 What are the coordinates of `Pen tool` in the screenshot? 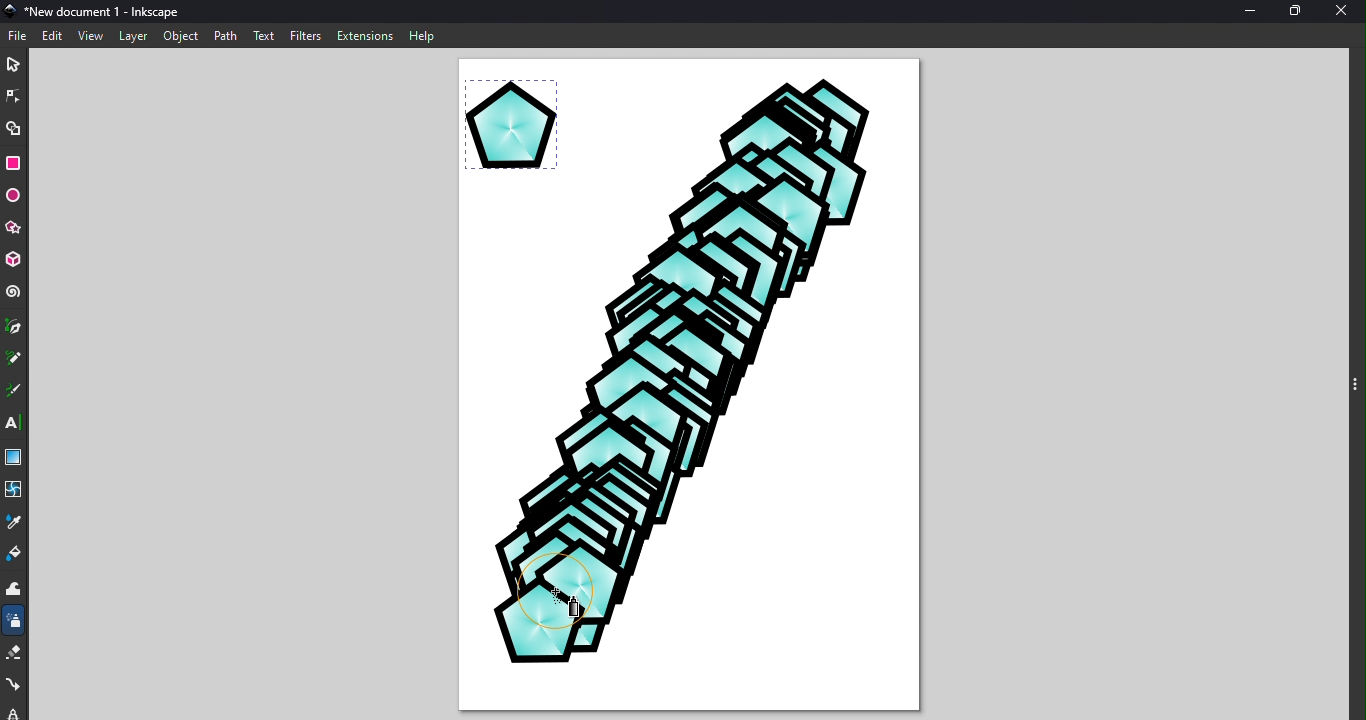 It's located at (13, 328).